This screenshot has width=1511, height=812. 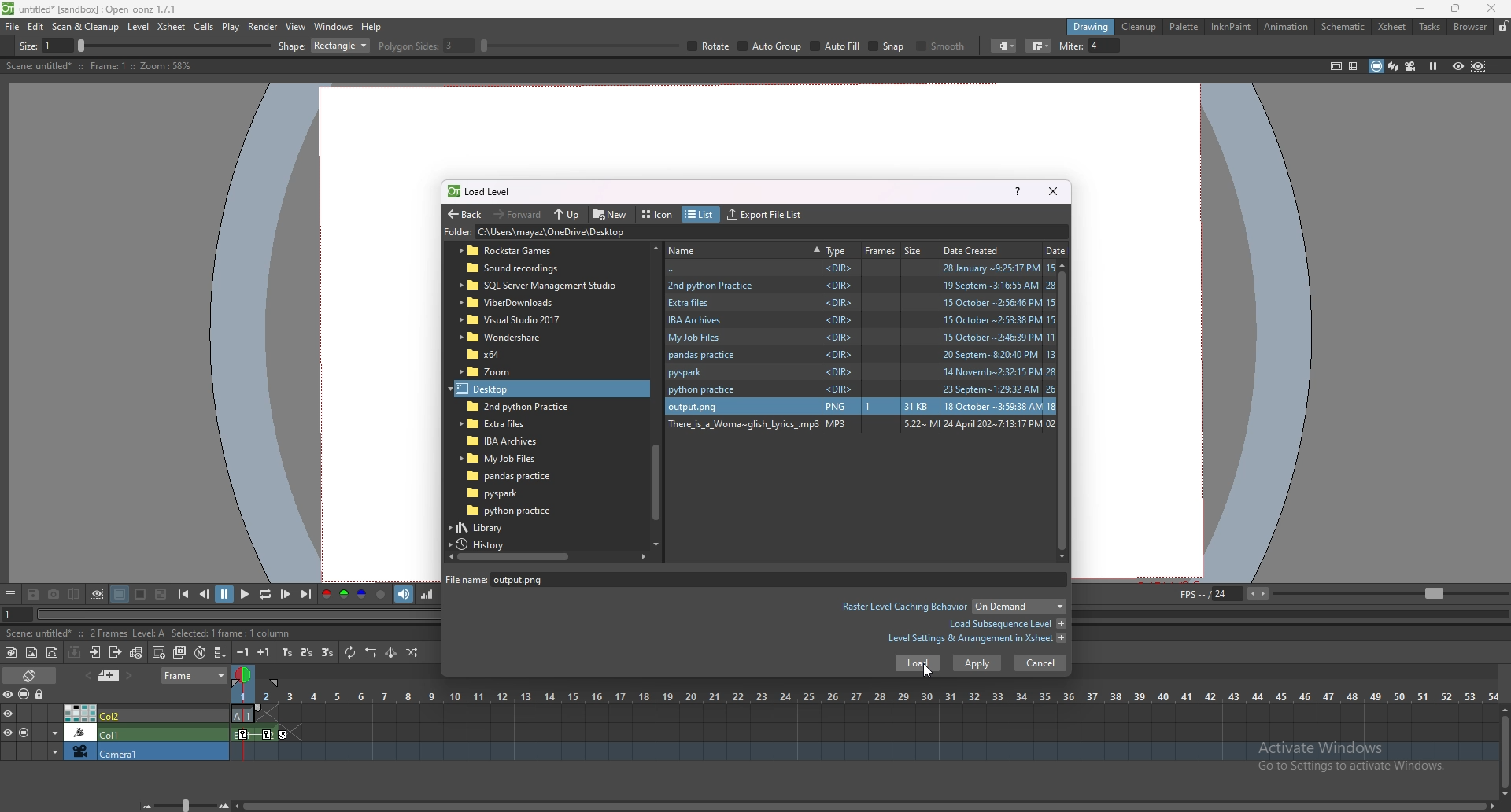 I want to click on preview, so click(x=1458, y=65).